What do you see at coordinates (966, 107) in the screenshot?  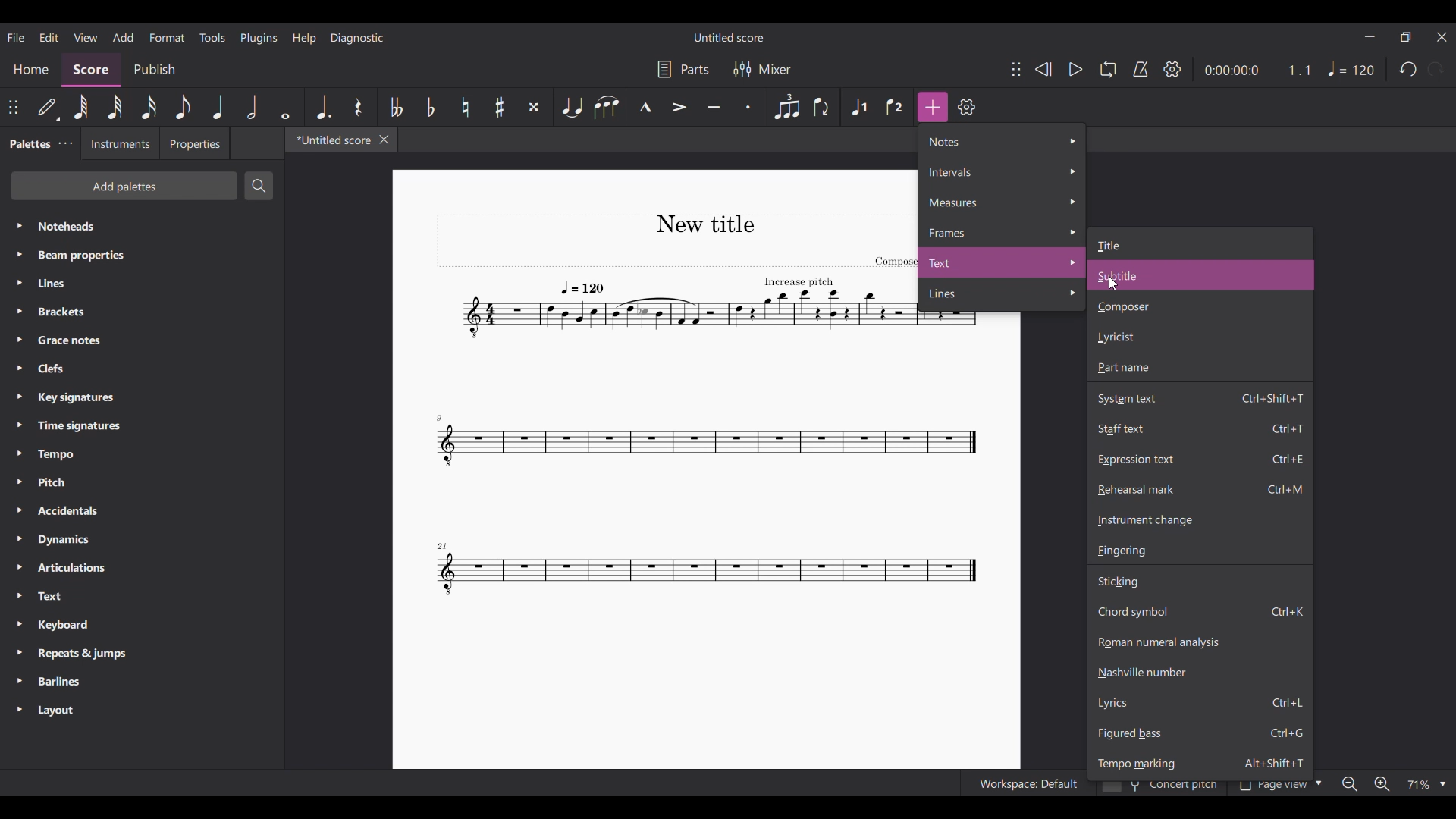 I see `Settings` at bounding box center [966, 107].